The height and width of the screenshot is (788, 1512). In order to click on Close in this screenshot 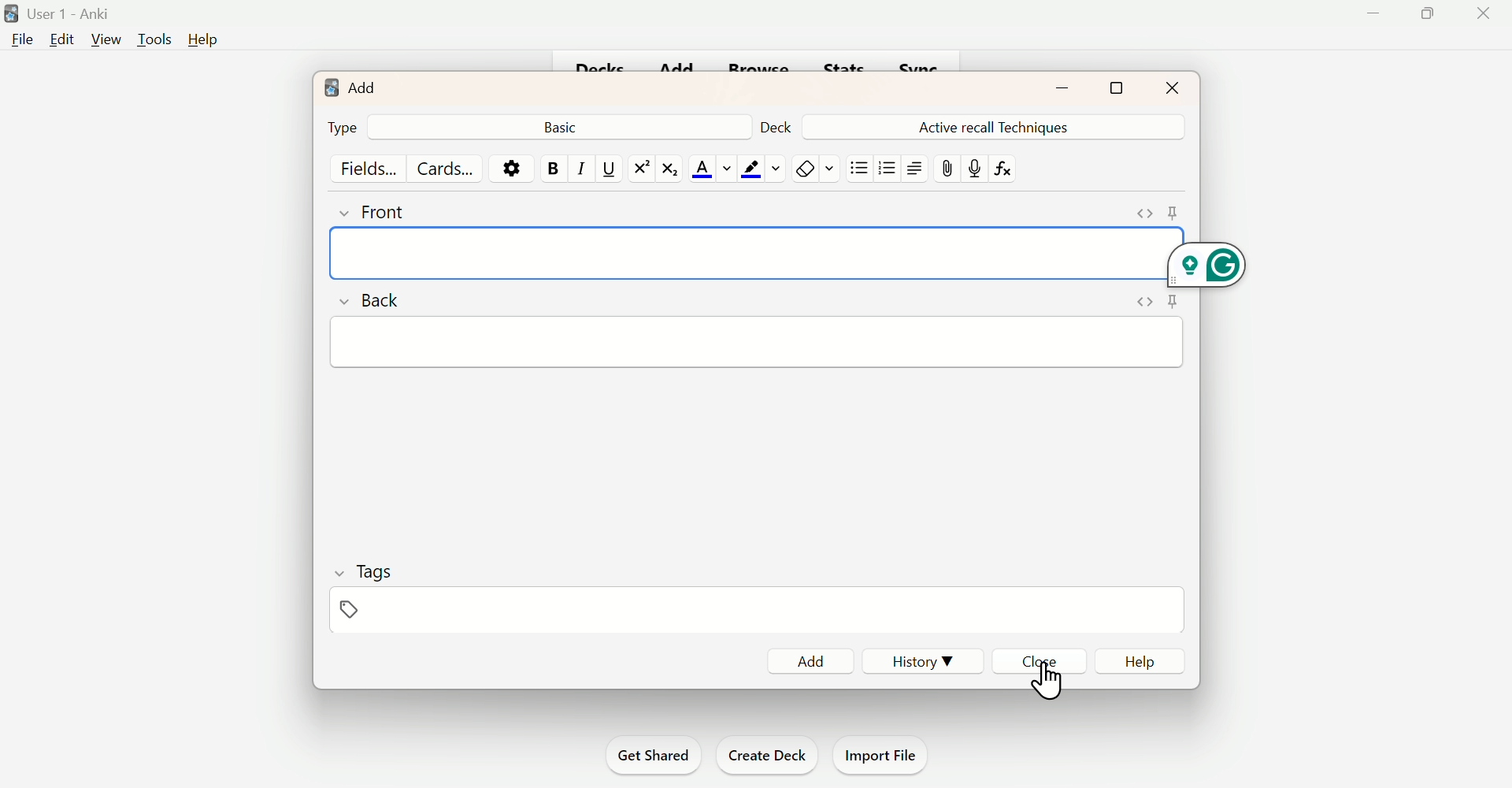, I will do `click(1169, 86)`.